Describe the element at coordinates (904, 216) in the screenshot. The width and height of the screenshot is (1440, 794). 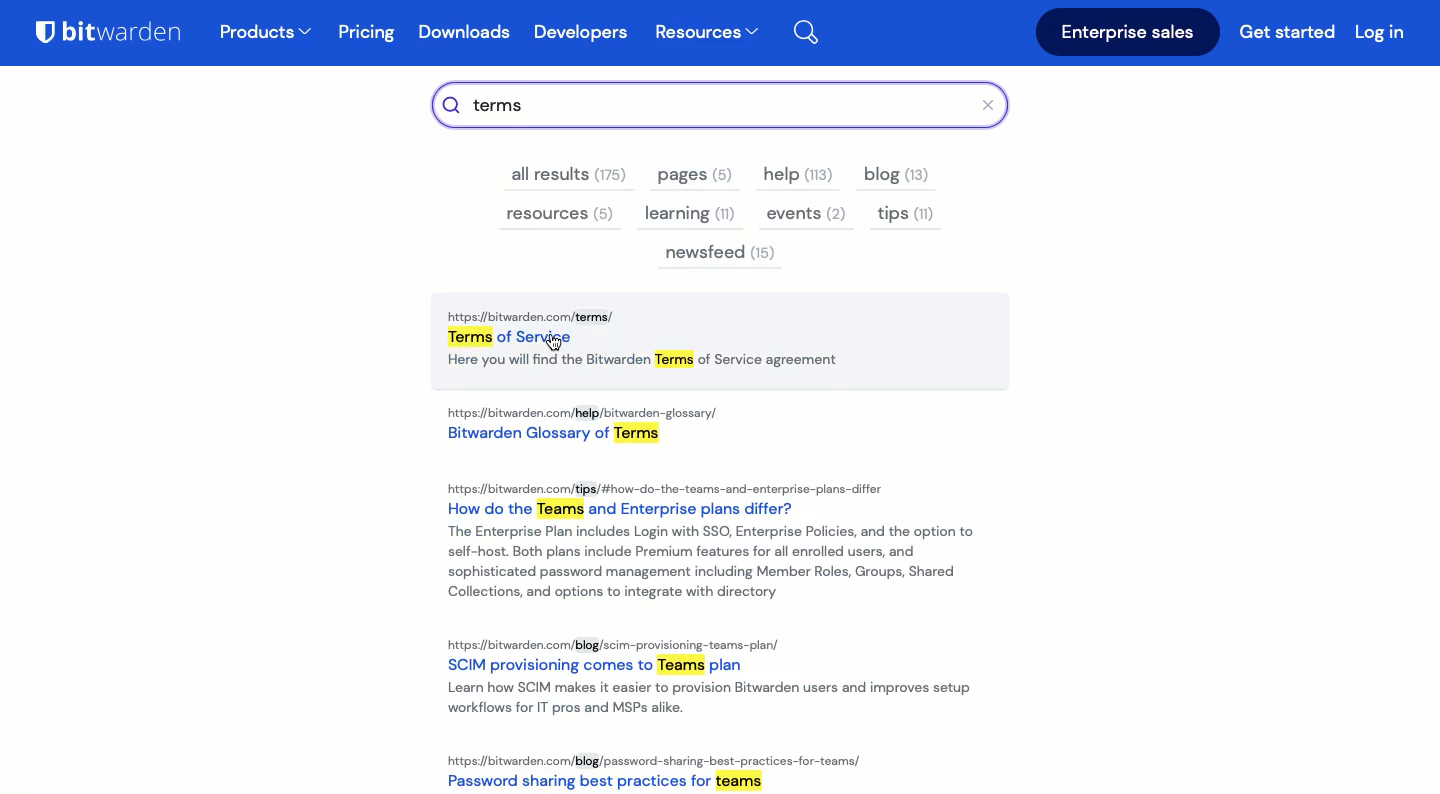
I see `tips` at that location.